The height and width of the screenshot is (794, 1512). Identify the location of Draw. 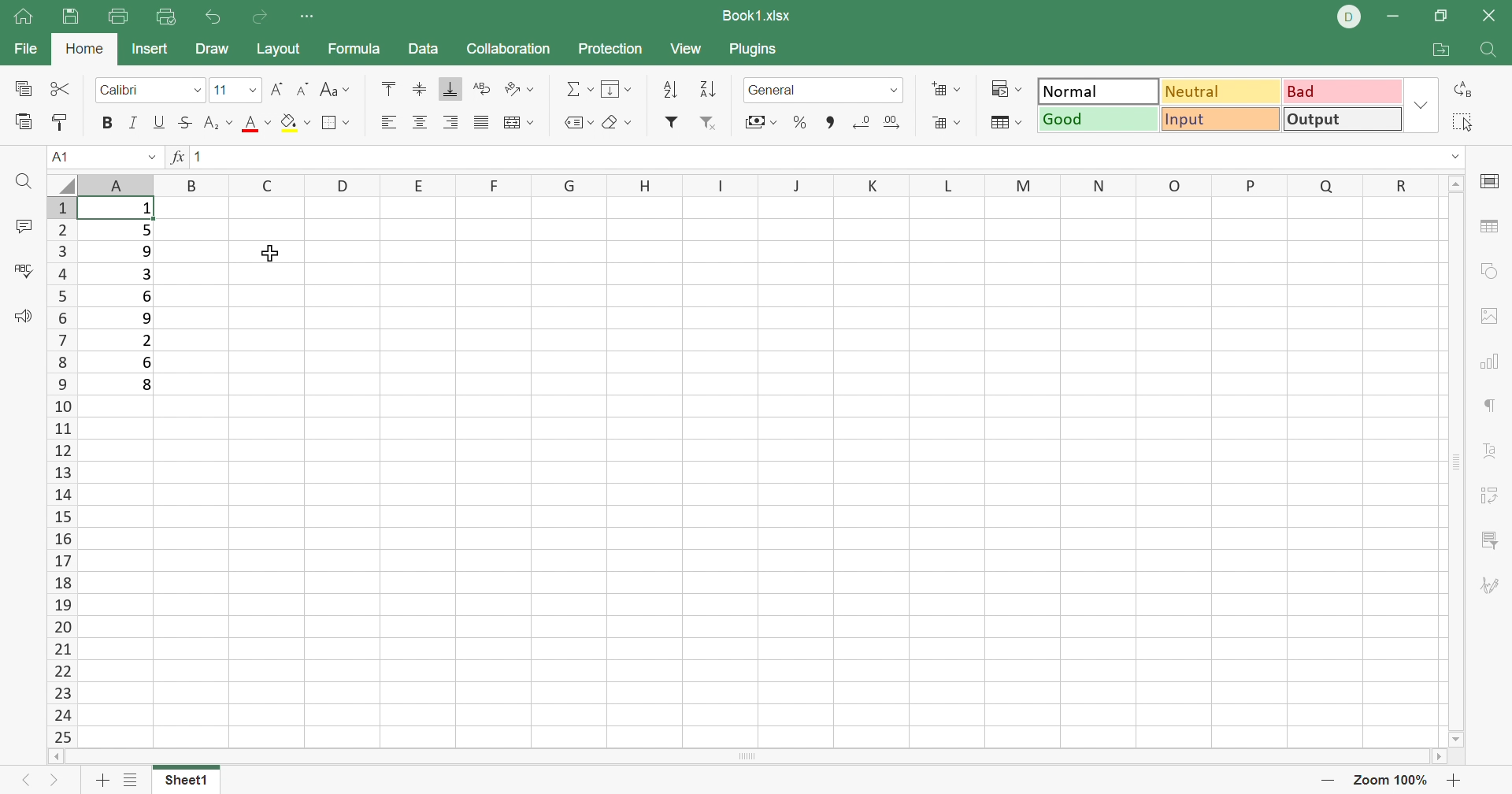
(211, 47).